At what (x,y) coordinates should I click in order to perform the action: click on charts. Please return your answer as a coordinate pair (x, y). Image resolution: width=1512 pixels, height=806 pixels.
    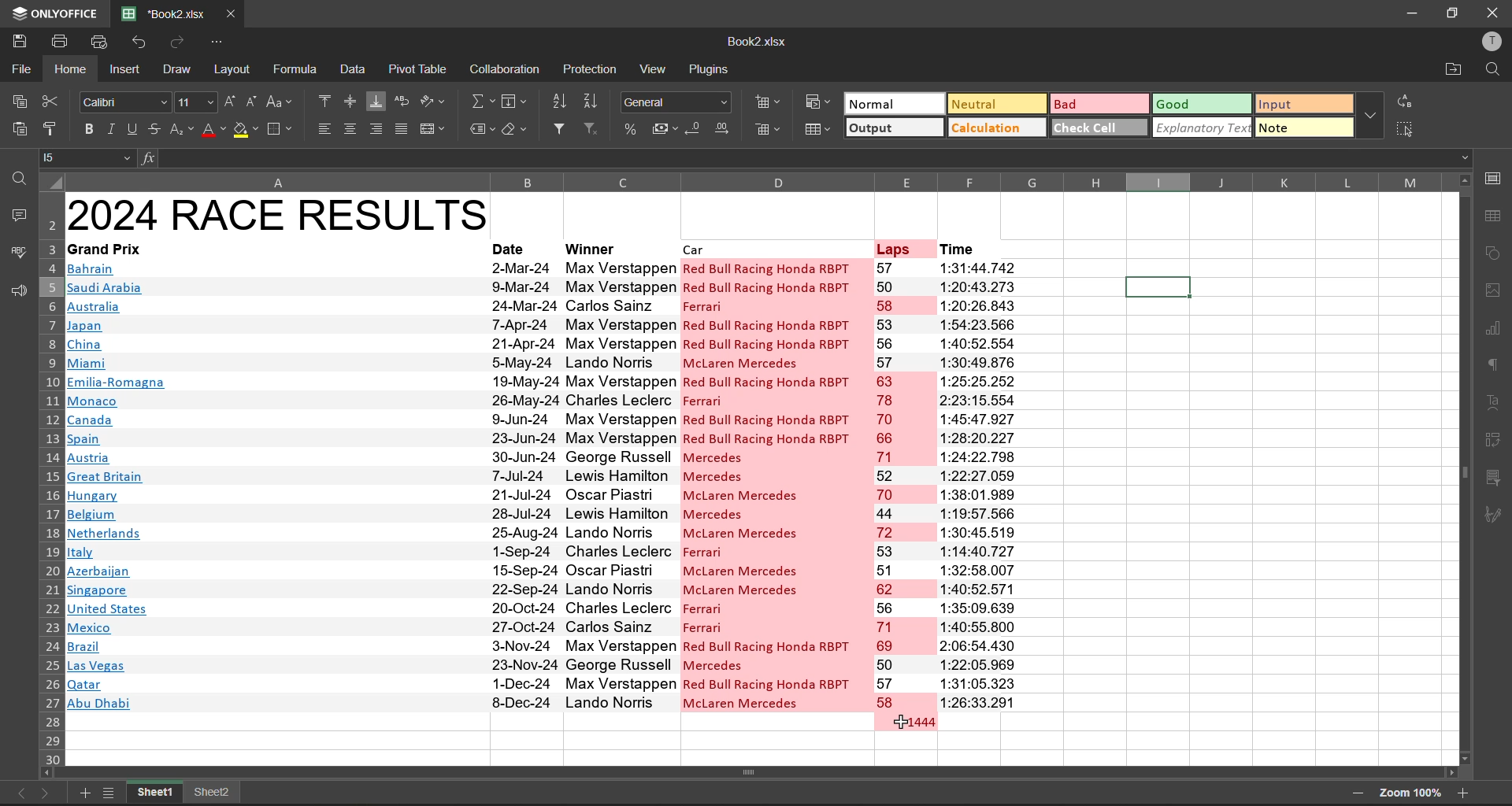
    Looking at the image, I should click on (1492, 326).